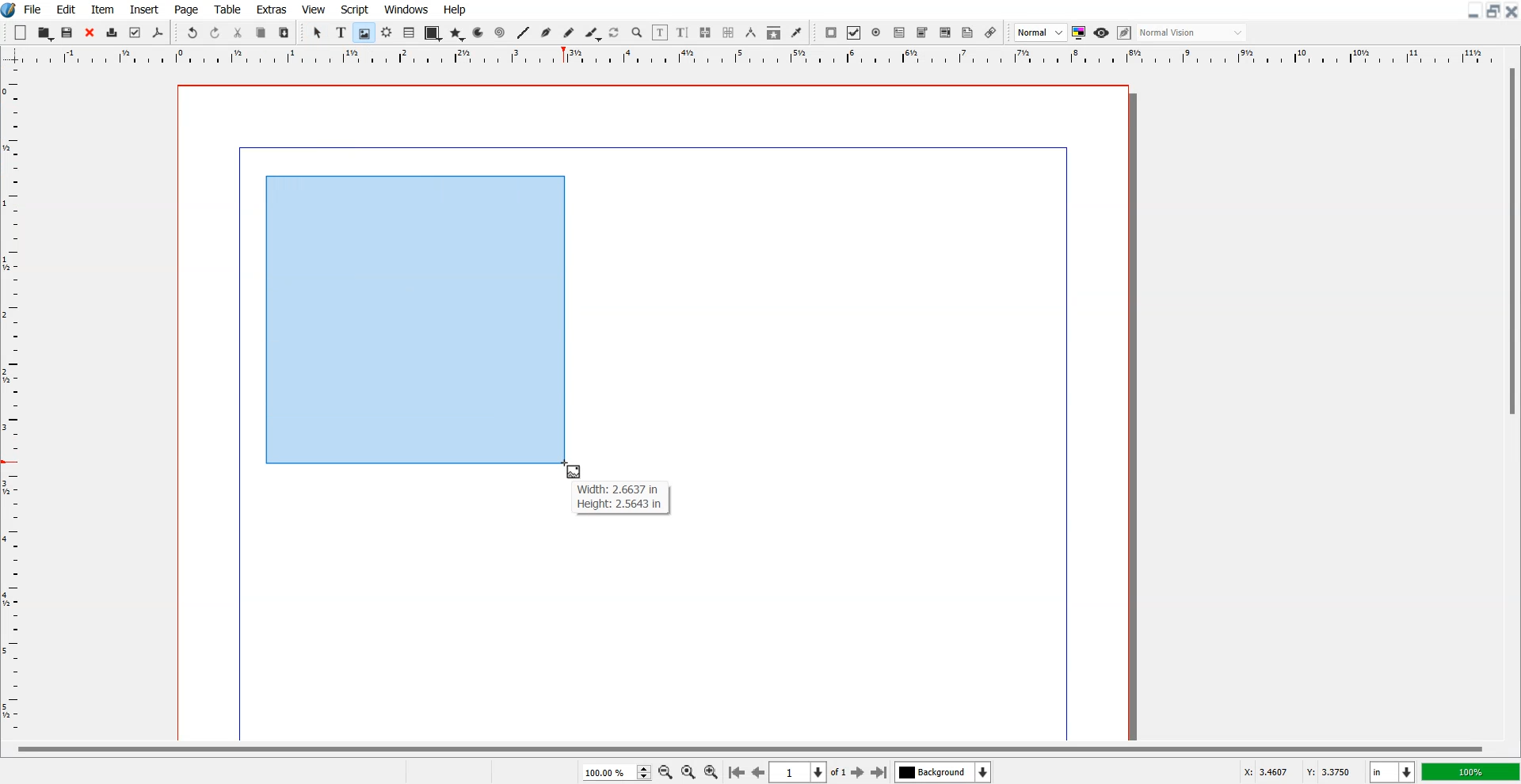  What do you see at coordinates (524, 32) in the screenshot?
I see `Line` at bounding box center [524, 32].